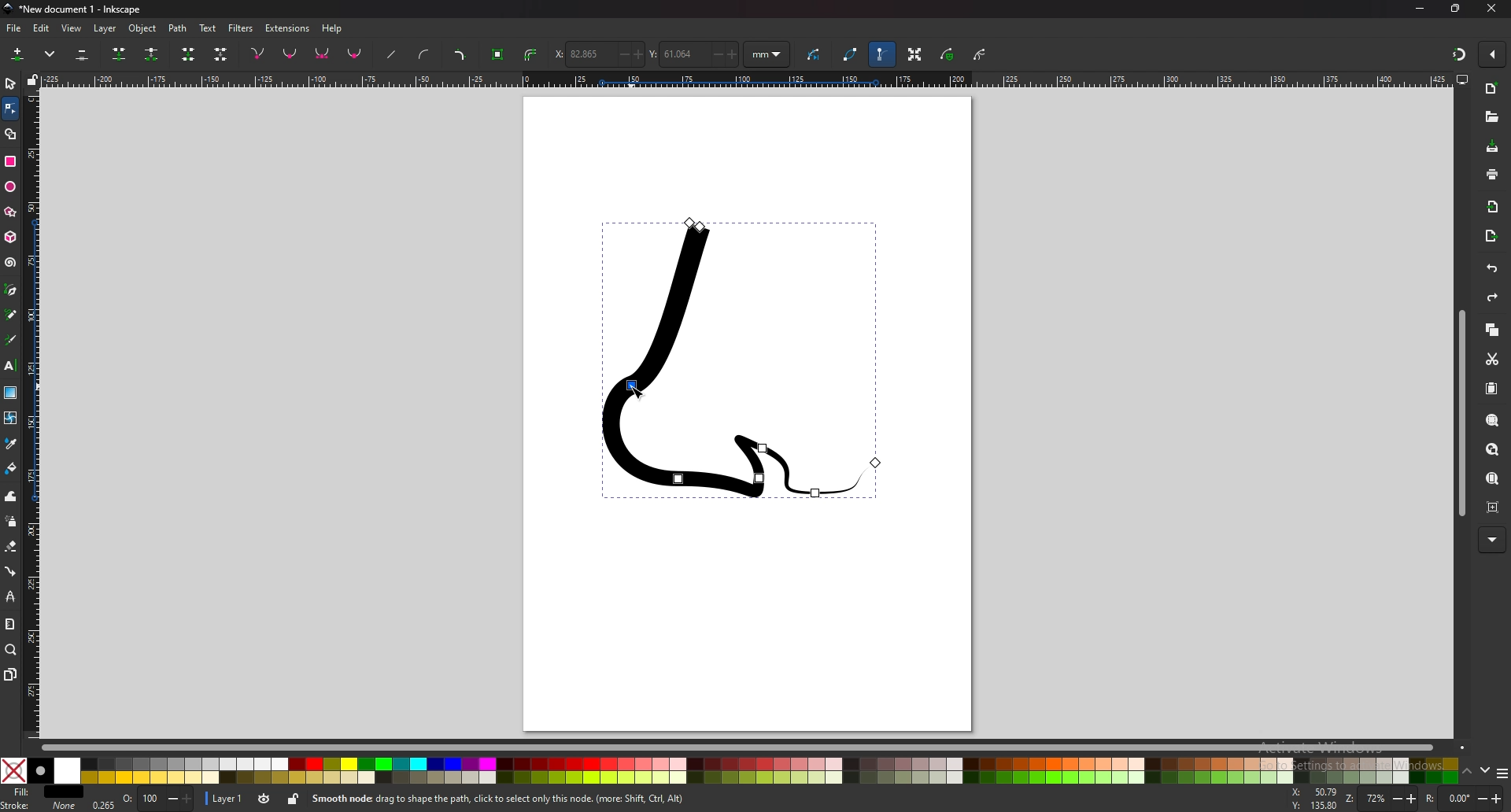  I want to click on drawing, so click(737, 361).